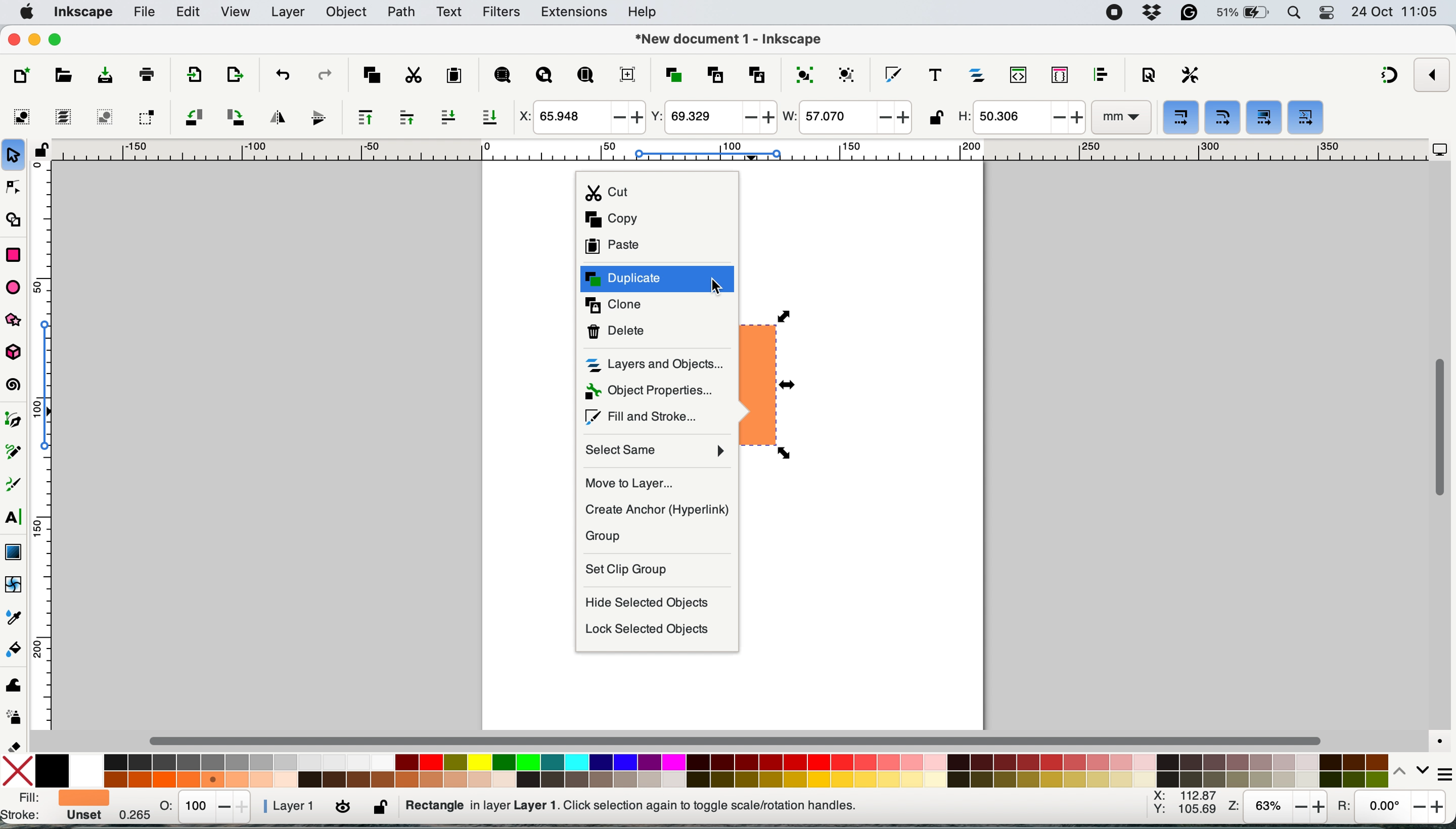 The height and width of the screenshot is (829, 1456). What do you see at coordinates (502, 13) in the screenshot?
I see `filters` at bounding box center [502, 13].